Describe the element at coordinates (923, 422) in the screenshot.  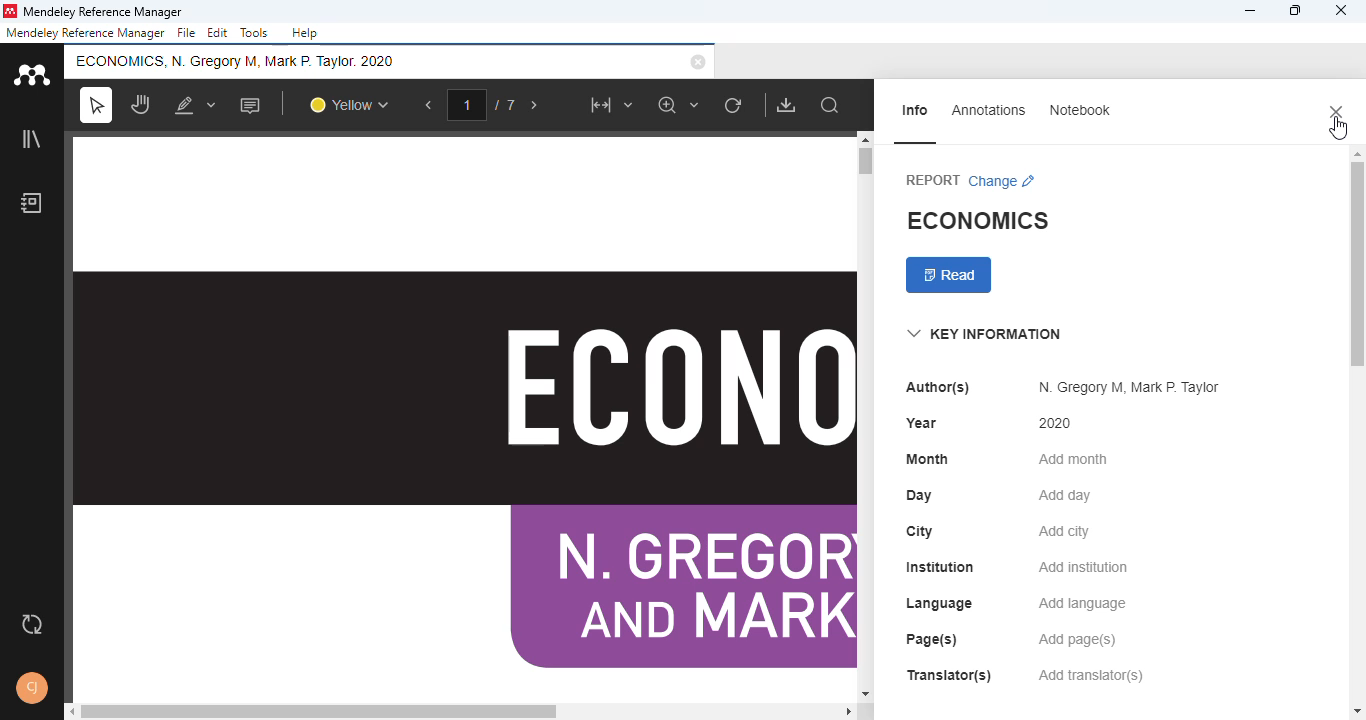
I see `year` at that location.